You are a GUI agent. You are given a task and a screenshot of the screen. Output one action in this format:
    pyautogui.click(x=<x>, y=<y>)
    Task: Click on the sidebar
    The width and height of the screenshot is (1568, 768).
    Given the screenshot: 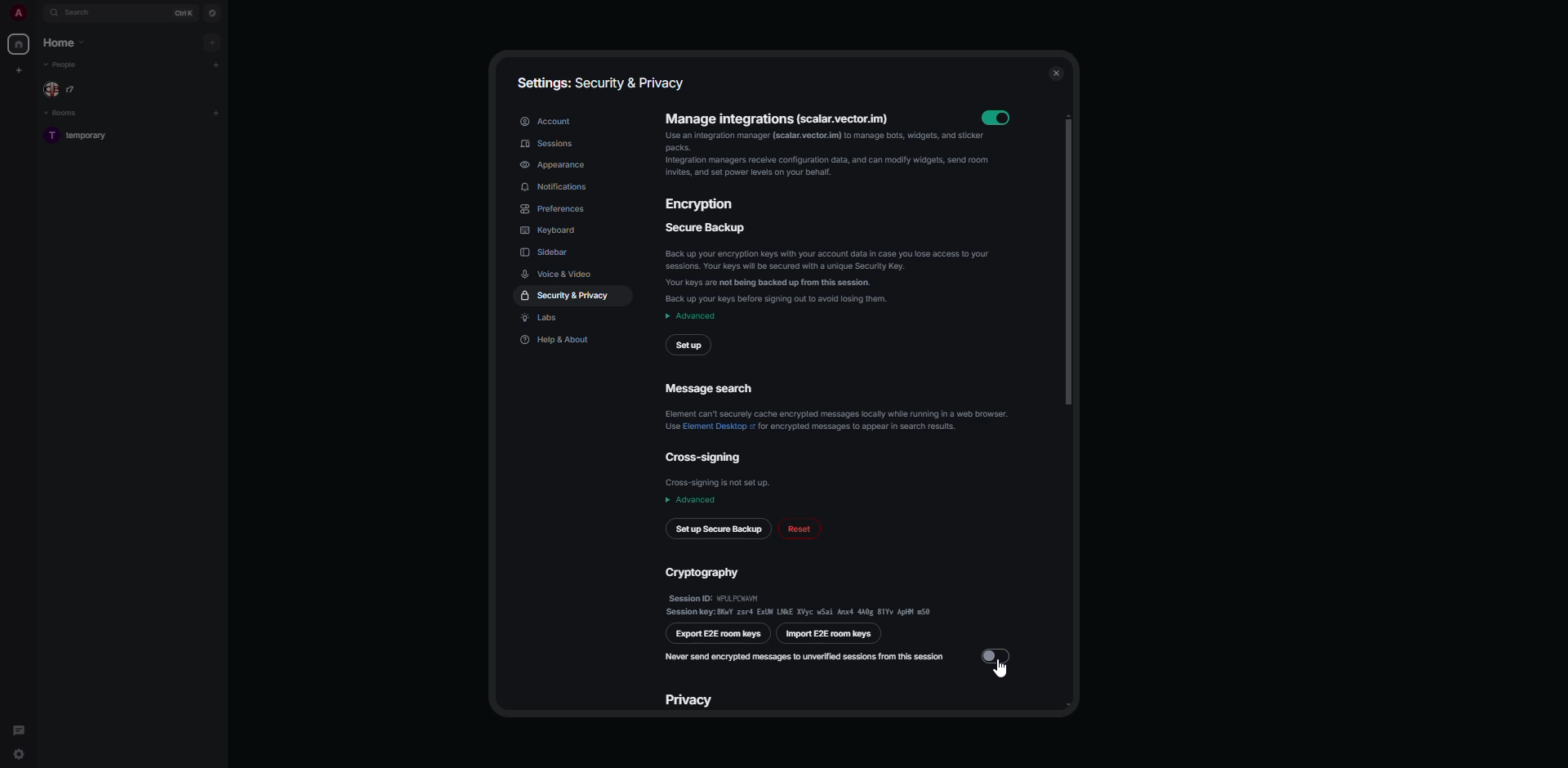 What is the action you would take?
    pyautogui.click(x=547, y=252)
    